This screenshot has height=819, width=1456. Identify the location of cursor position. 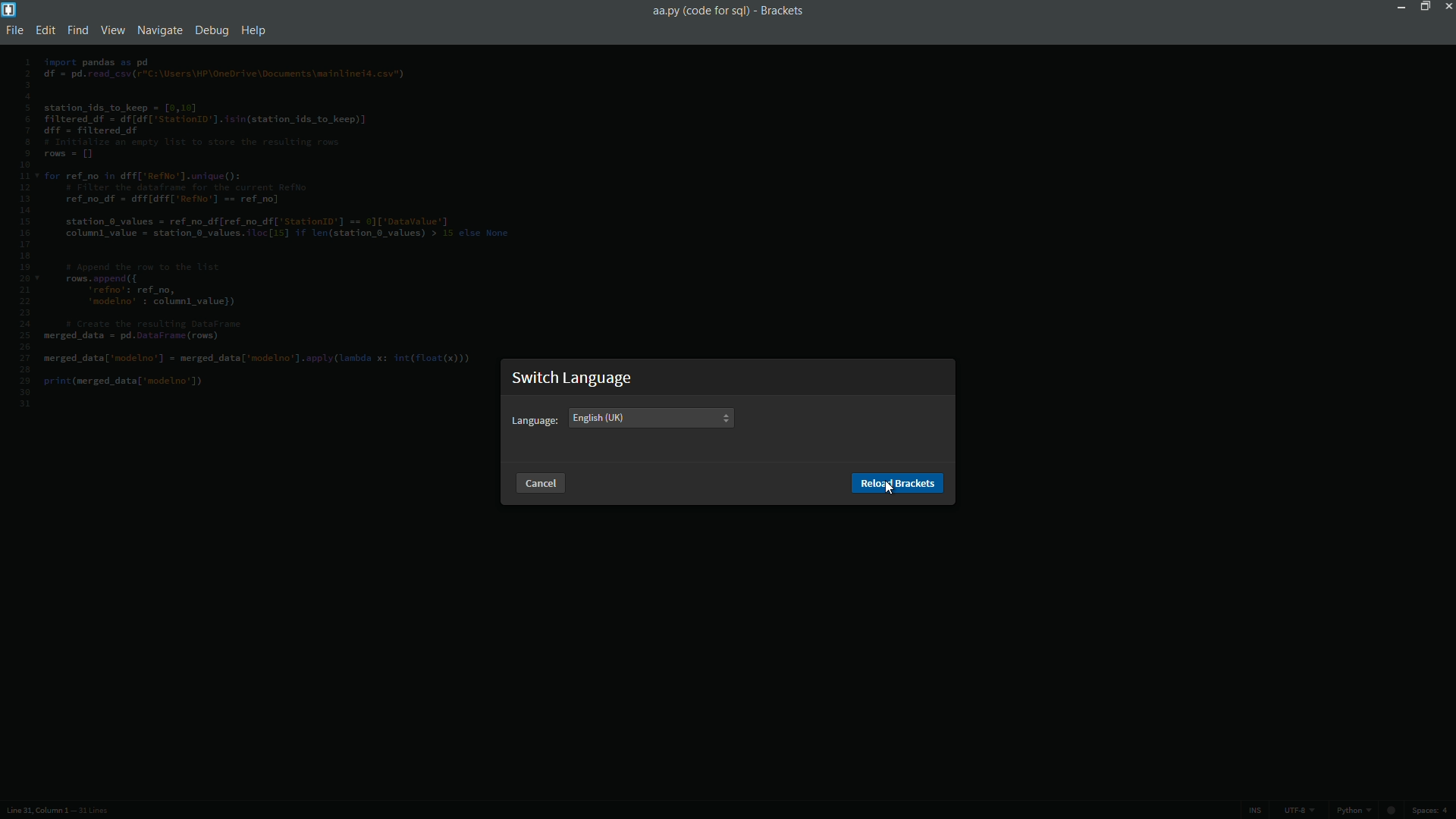
(32, 811).